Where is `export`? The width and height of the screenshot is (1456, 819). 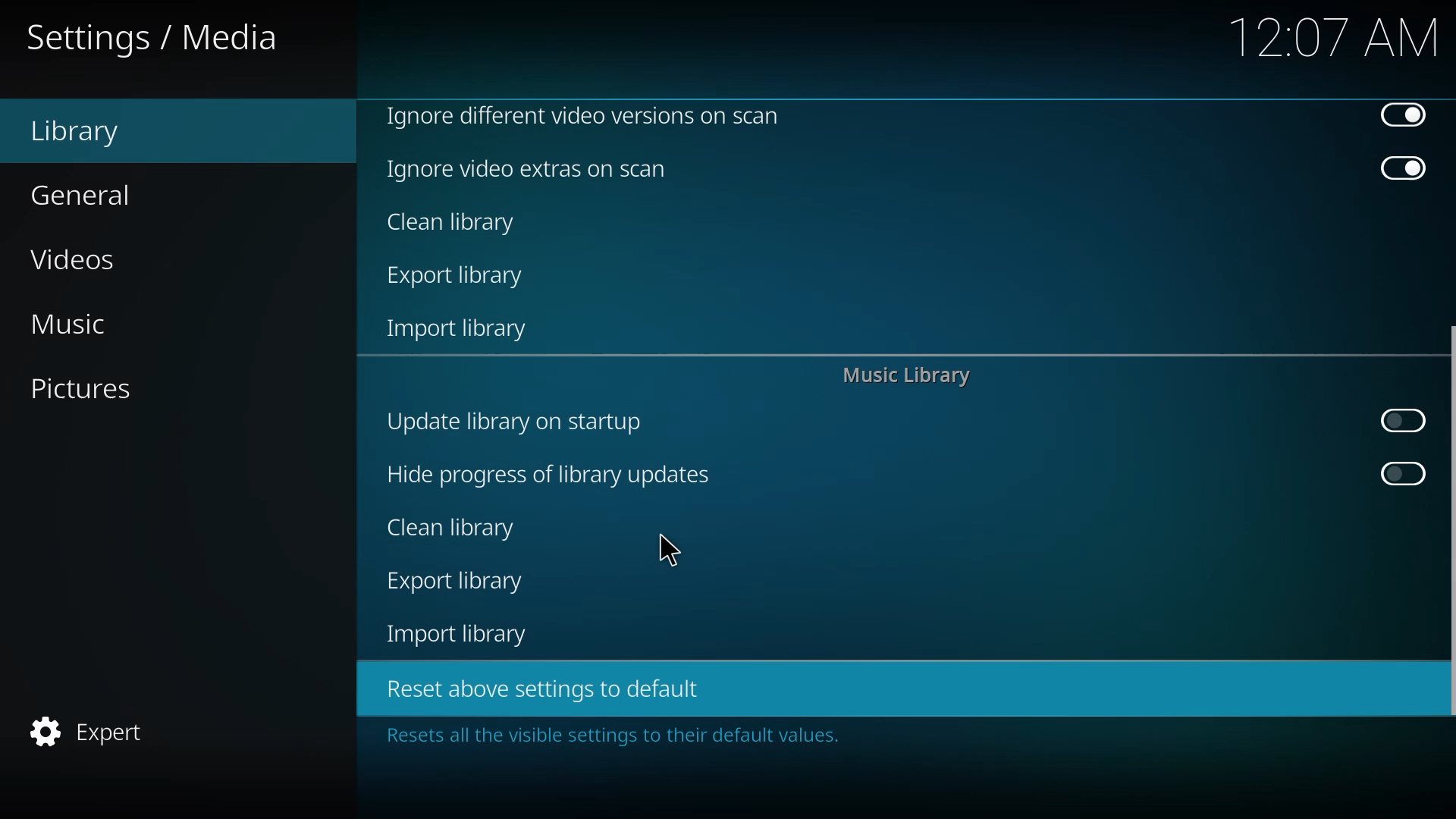
export is located at coordinates (455, 582).